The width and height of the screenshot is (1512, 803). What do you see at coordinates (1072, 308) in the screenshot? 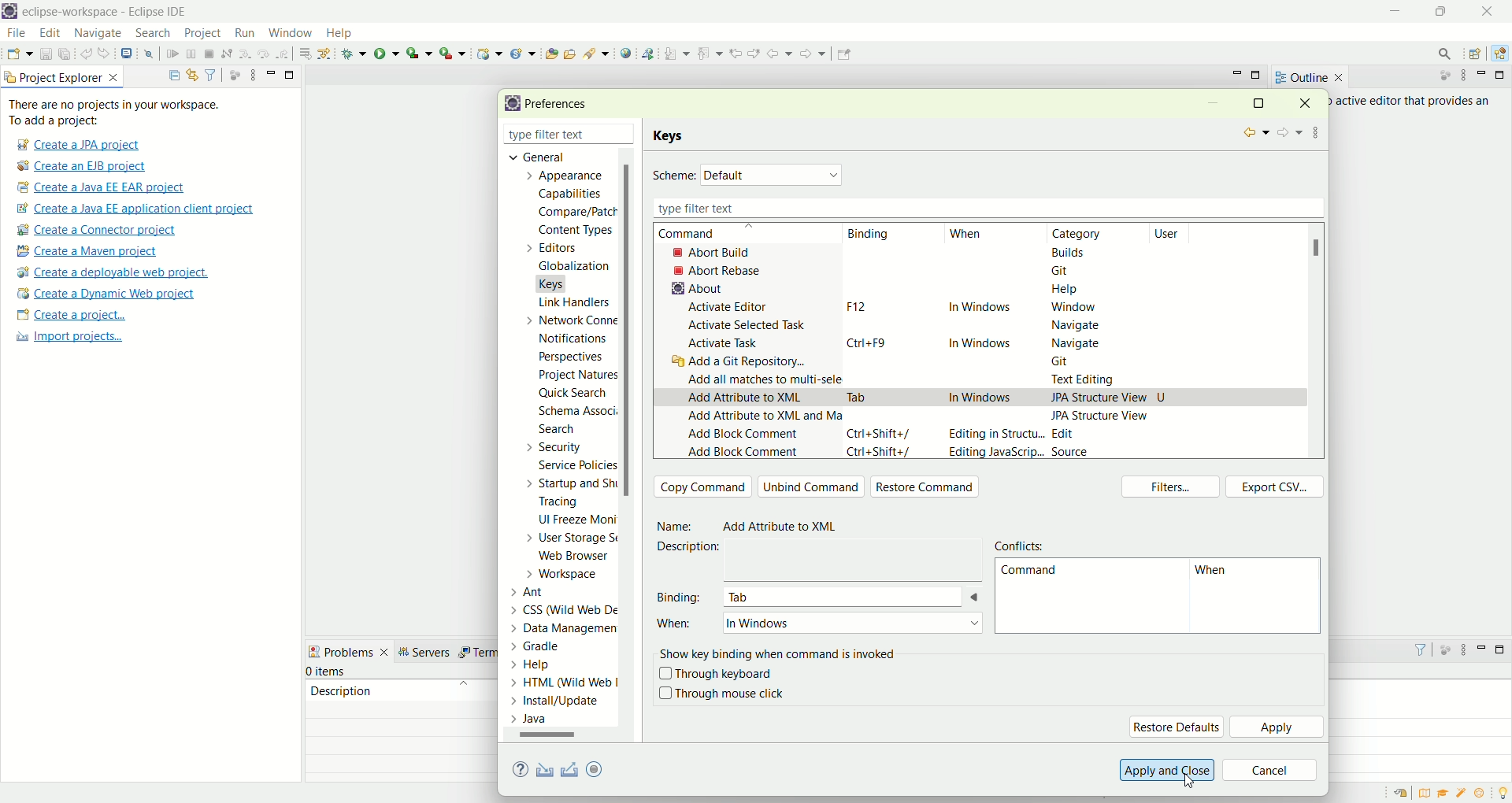
I see `window` at bounding box center [1072, 308].